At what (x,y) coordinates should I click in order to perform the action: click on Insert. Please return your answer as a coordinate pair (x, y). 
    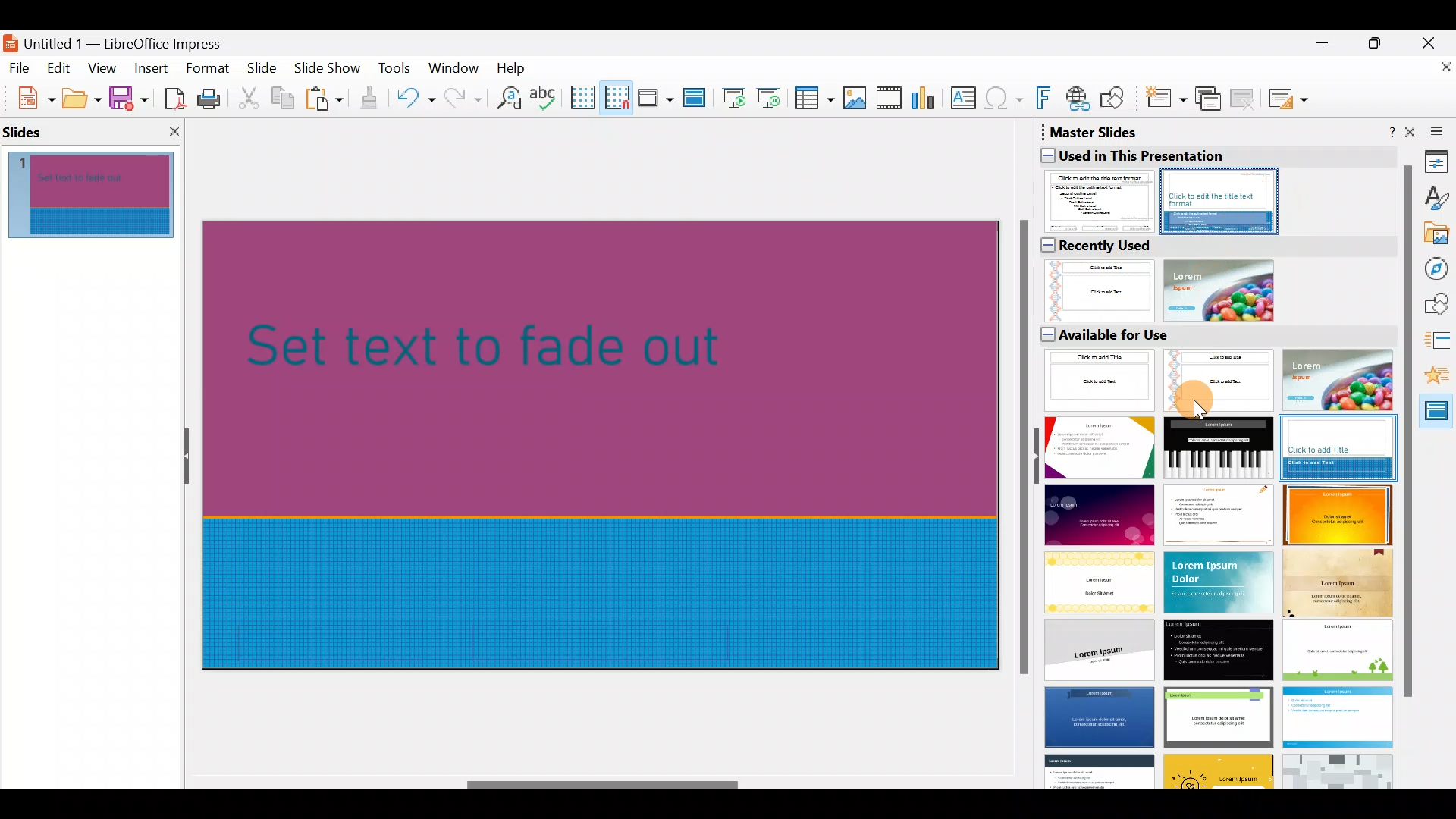
    Looking at the image, I should click on (150, 68).